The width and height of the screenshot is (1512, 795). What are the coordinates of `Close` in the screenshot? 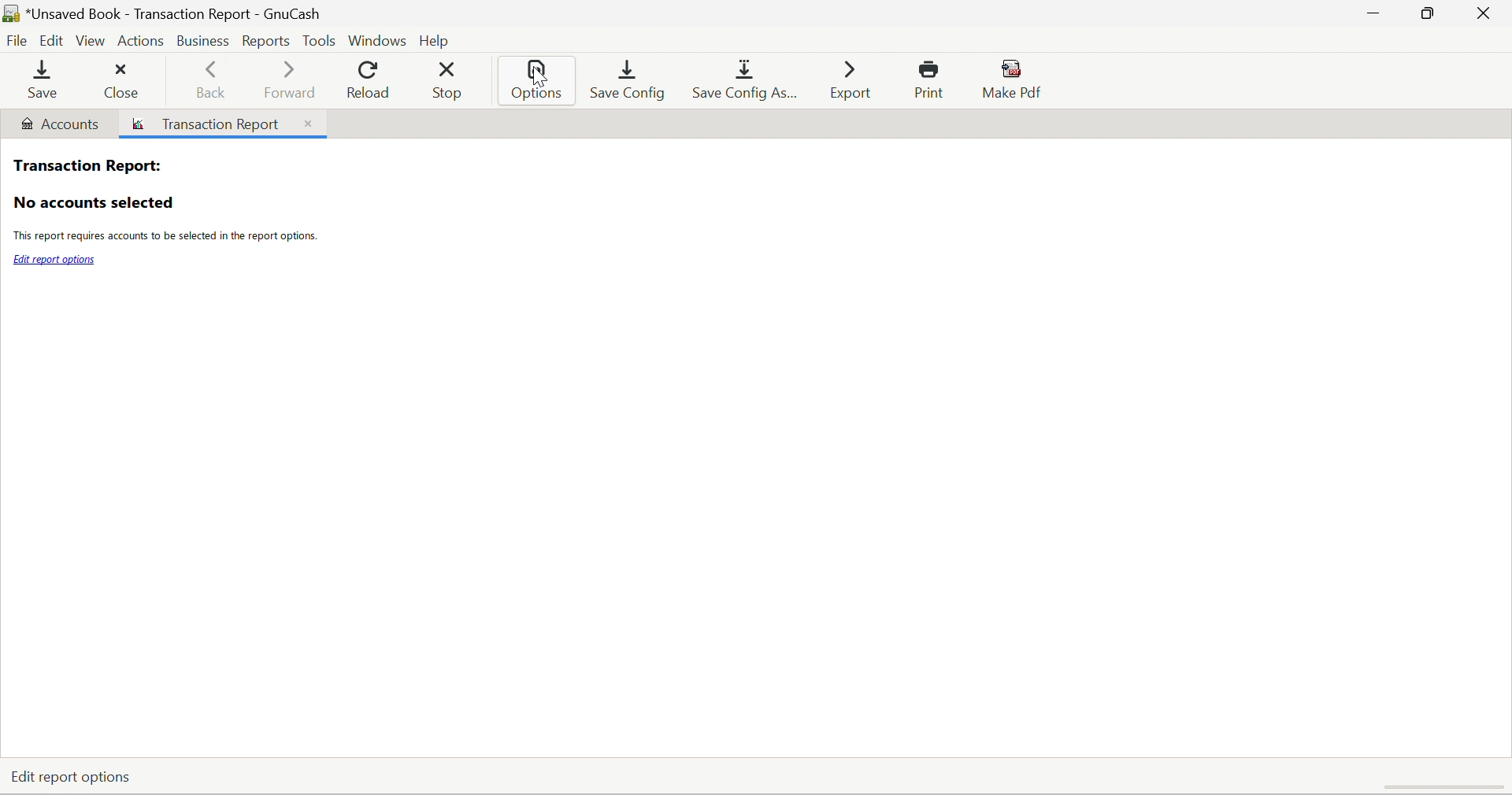 It's located at (121, 79).